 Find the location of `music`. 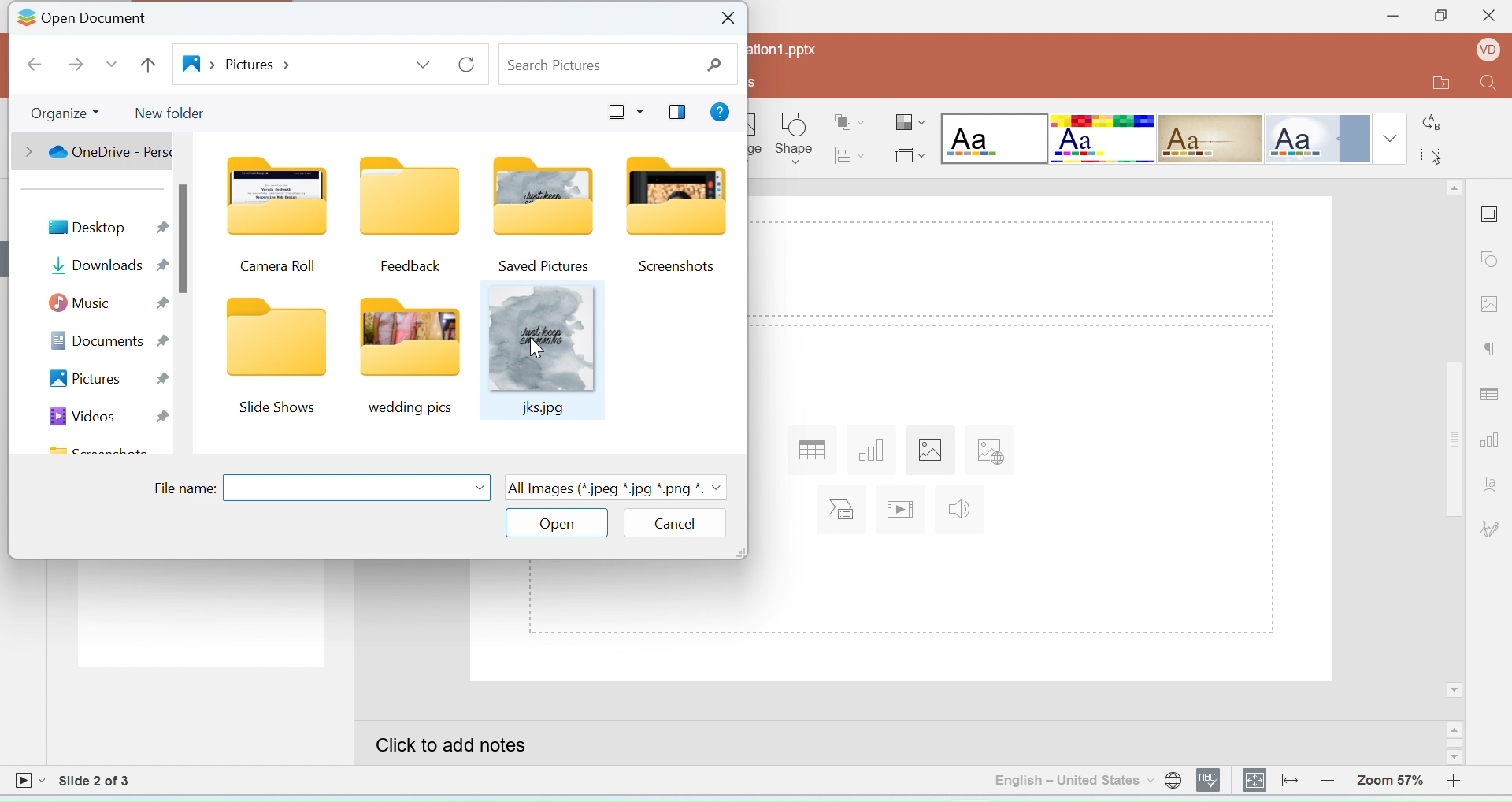

music is located at coordinates (106, 305).